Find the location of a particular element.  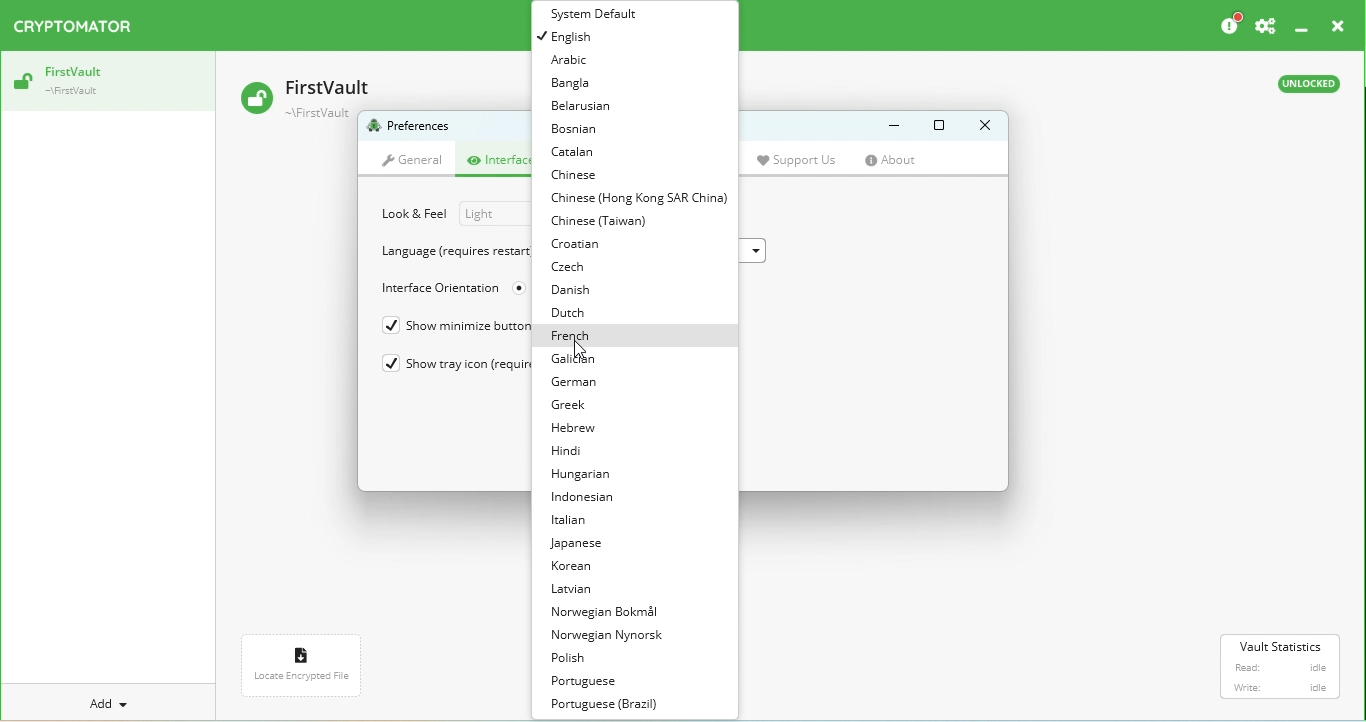

Interface is located at coordinates (497, 163).